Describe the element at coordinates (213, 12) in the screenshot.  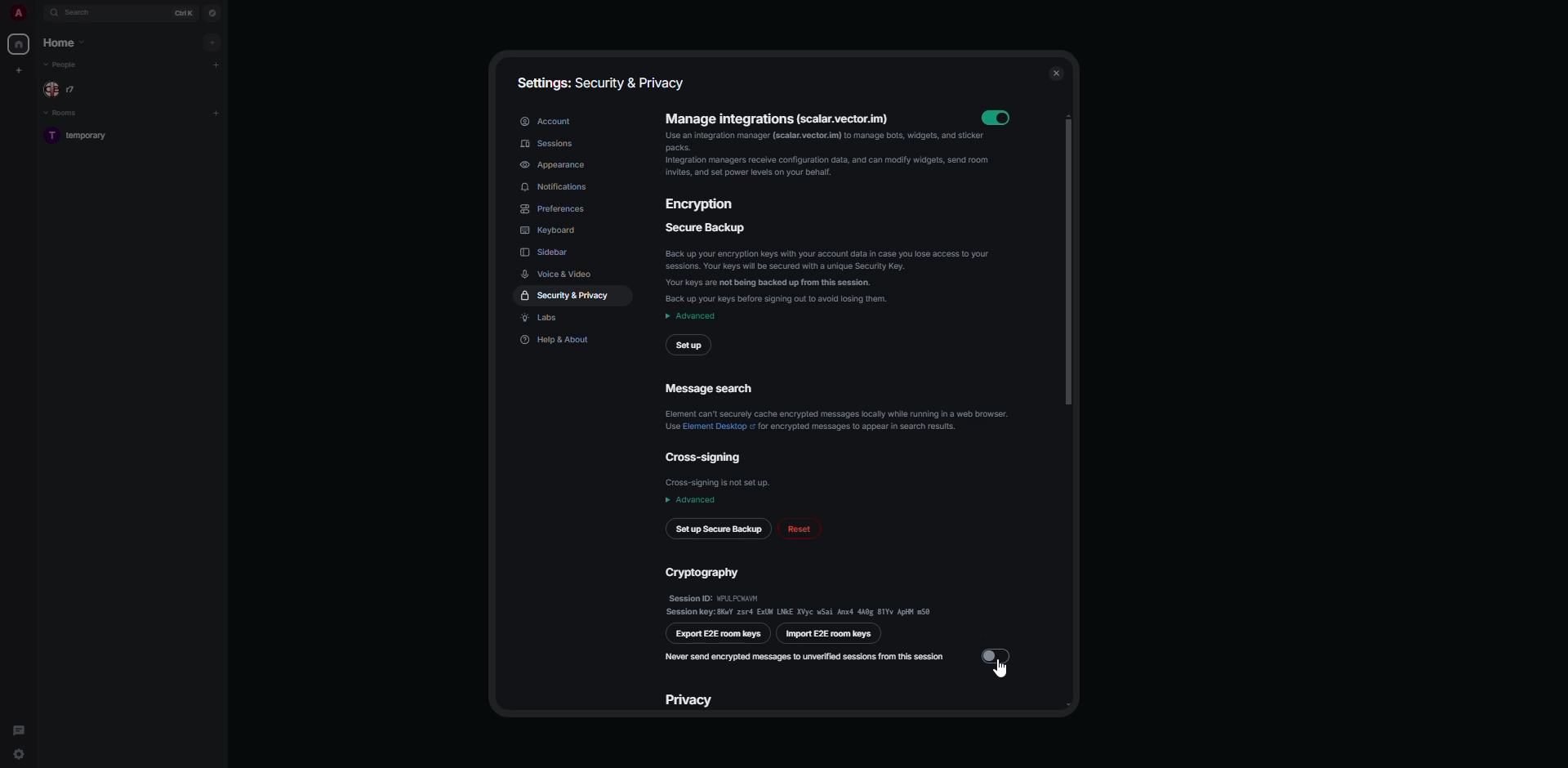
I see `navigator` at that location.